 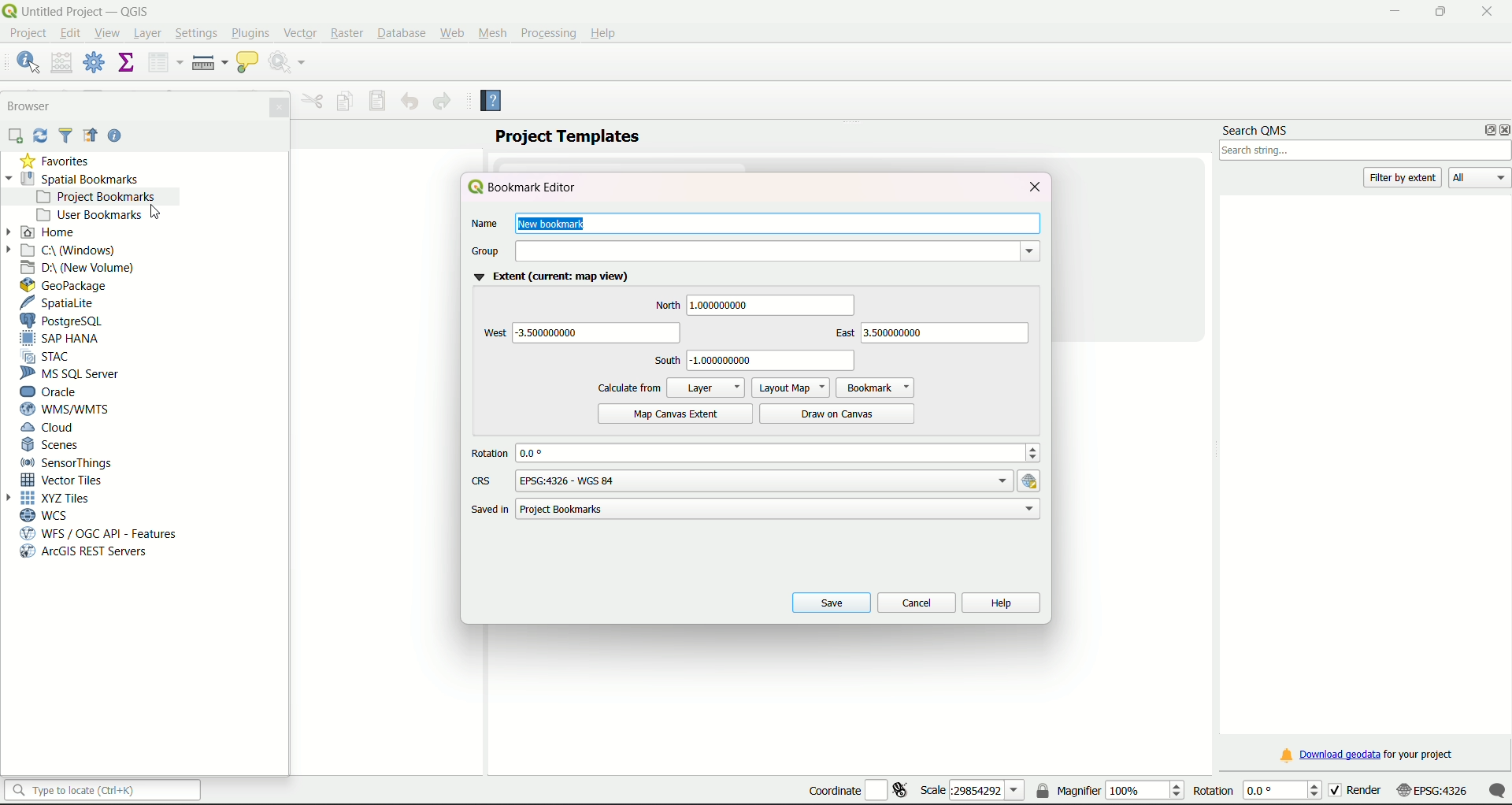 I want to click on show statistical summary, so click(x=124, y=63).